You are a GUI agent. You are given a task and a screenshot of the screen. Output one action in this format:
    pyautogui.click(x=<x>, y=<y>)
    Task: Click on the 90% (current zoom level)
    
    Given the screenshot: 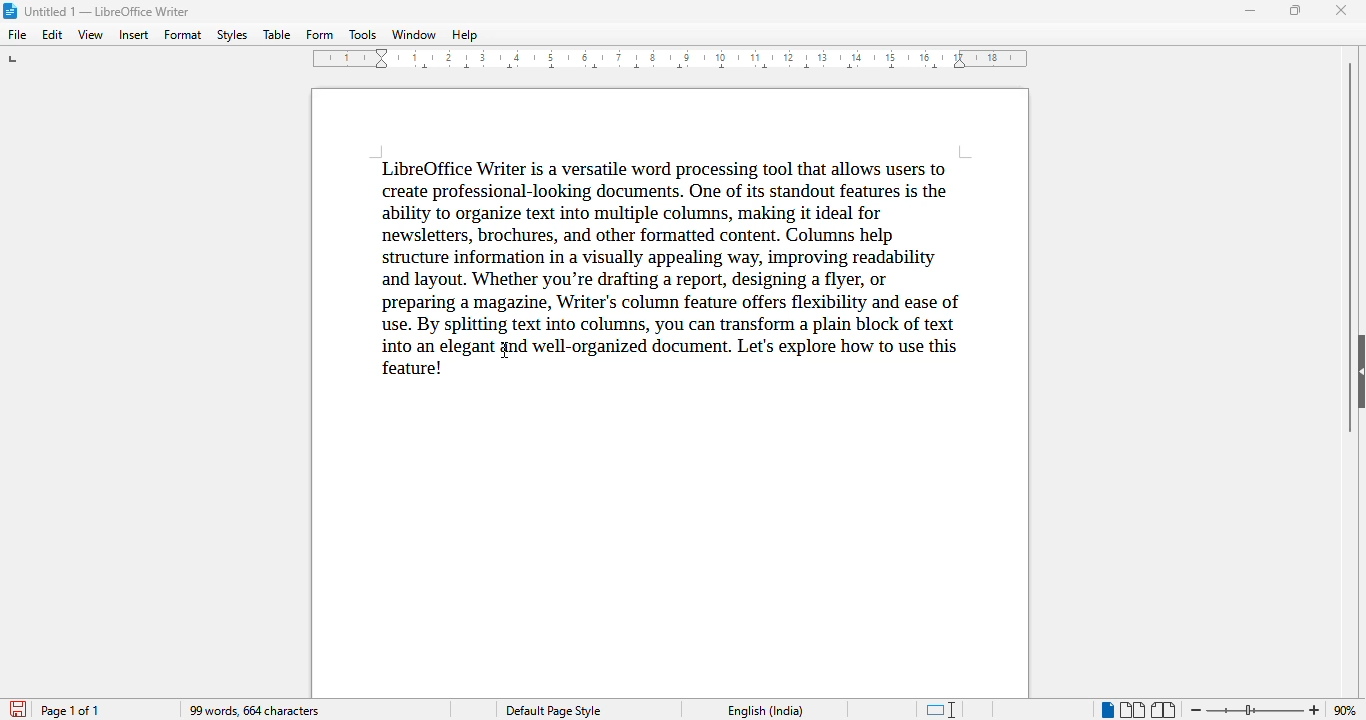 What is the action you would take?
    pyautogui.click(x=1349, y=708)
    